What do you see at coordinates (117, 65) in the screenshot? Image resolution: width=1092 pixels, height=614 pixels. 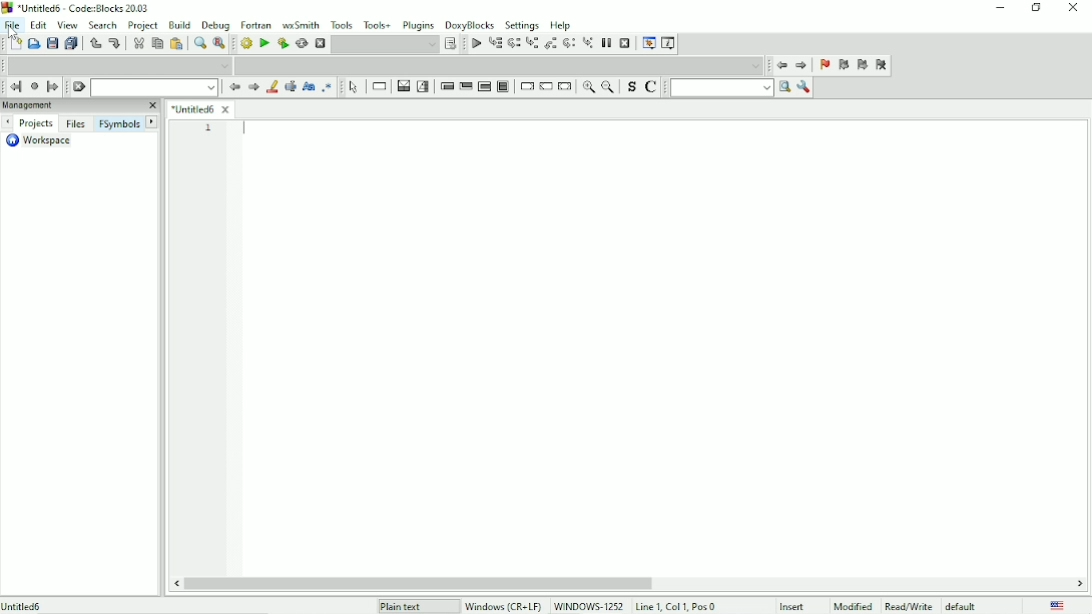 I see `Drop down` at bounding box center [117, 65].